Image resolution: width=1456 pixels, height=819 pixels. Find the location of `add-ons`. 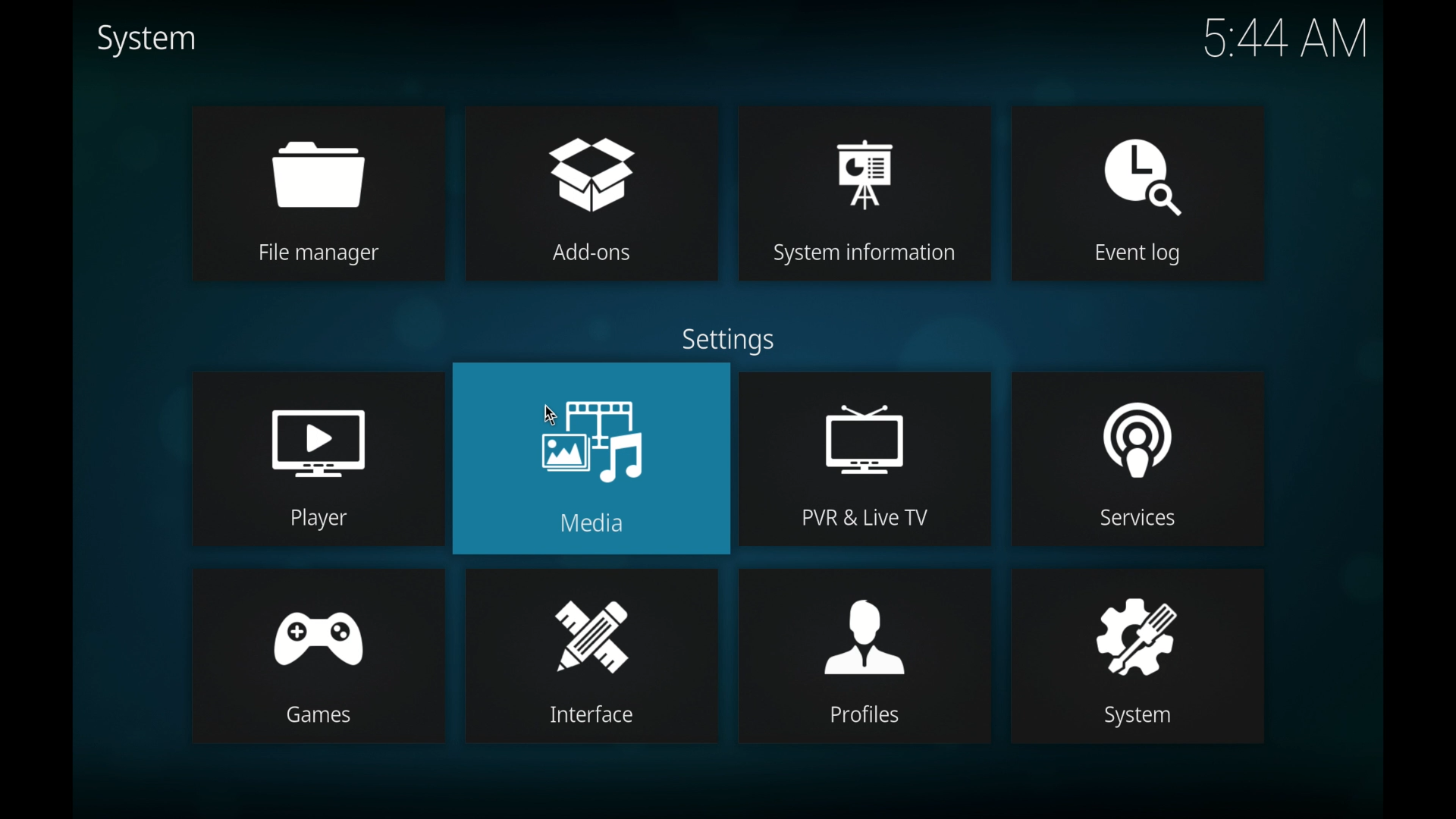

add-ons is located at coordinates (592, 194).